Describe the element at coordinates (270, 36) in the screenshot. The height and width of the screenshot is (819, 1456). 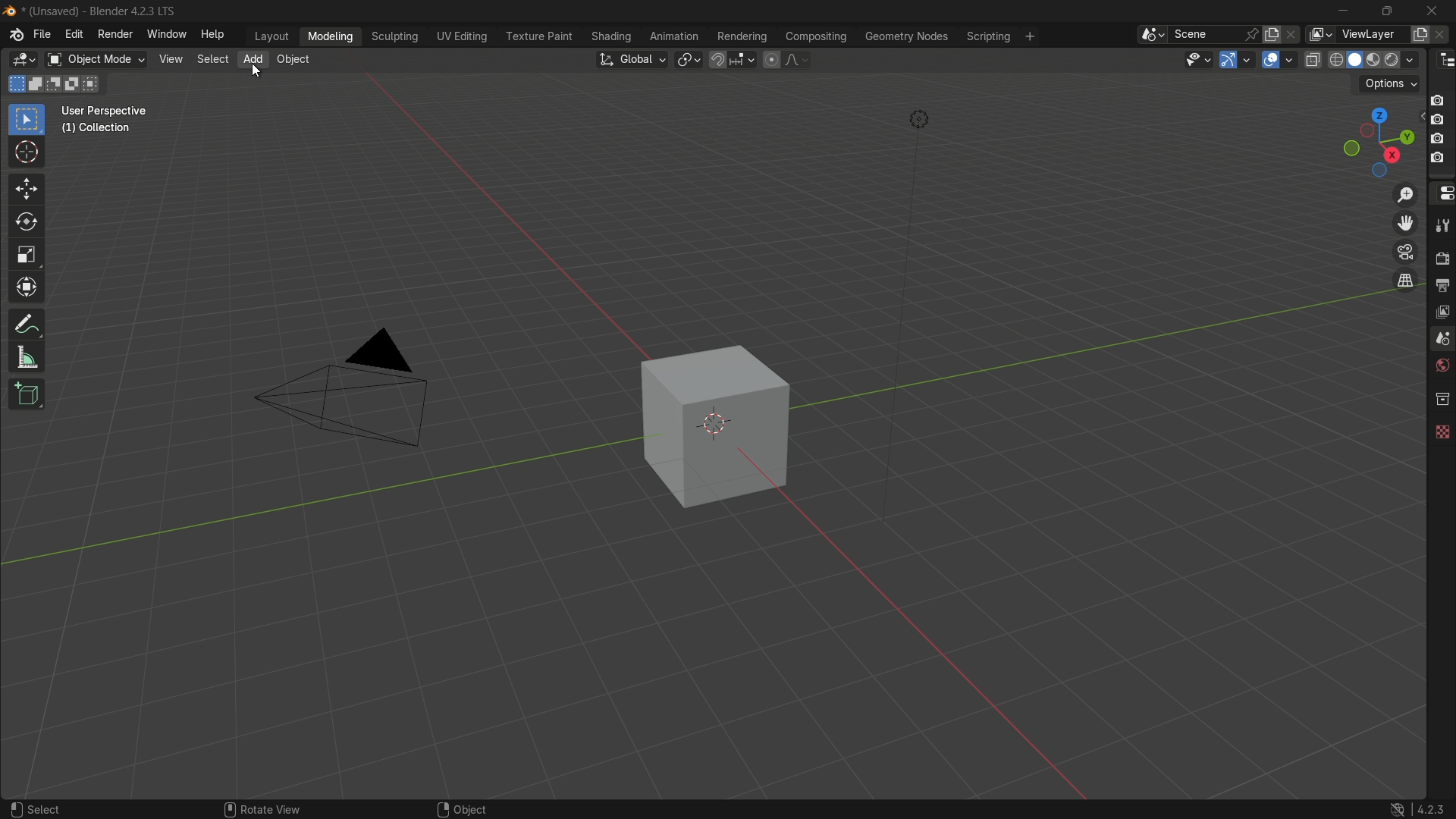
I see `layout menu` at that location.